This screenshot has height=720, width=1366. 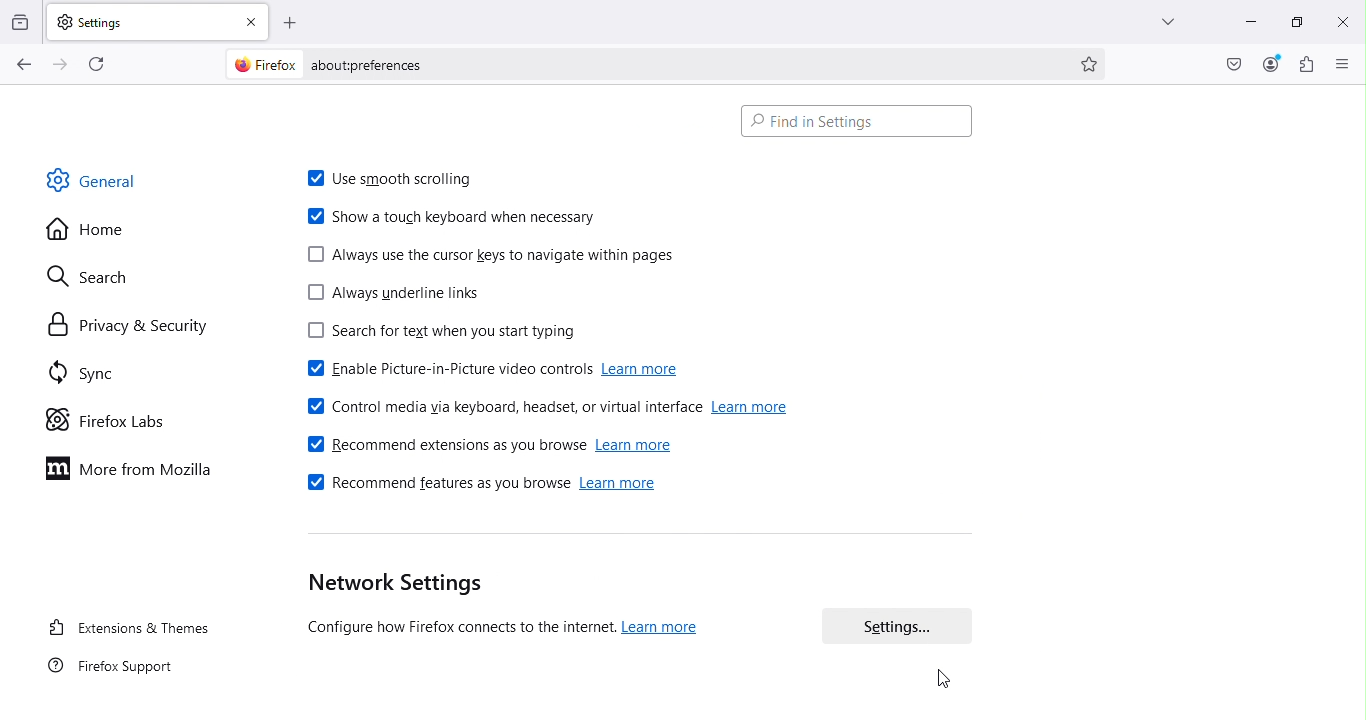 What do you see at coordinates (393, 174) in the screenshot?
I see `Use smooth scrolling` at bounding box center [393, 174].